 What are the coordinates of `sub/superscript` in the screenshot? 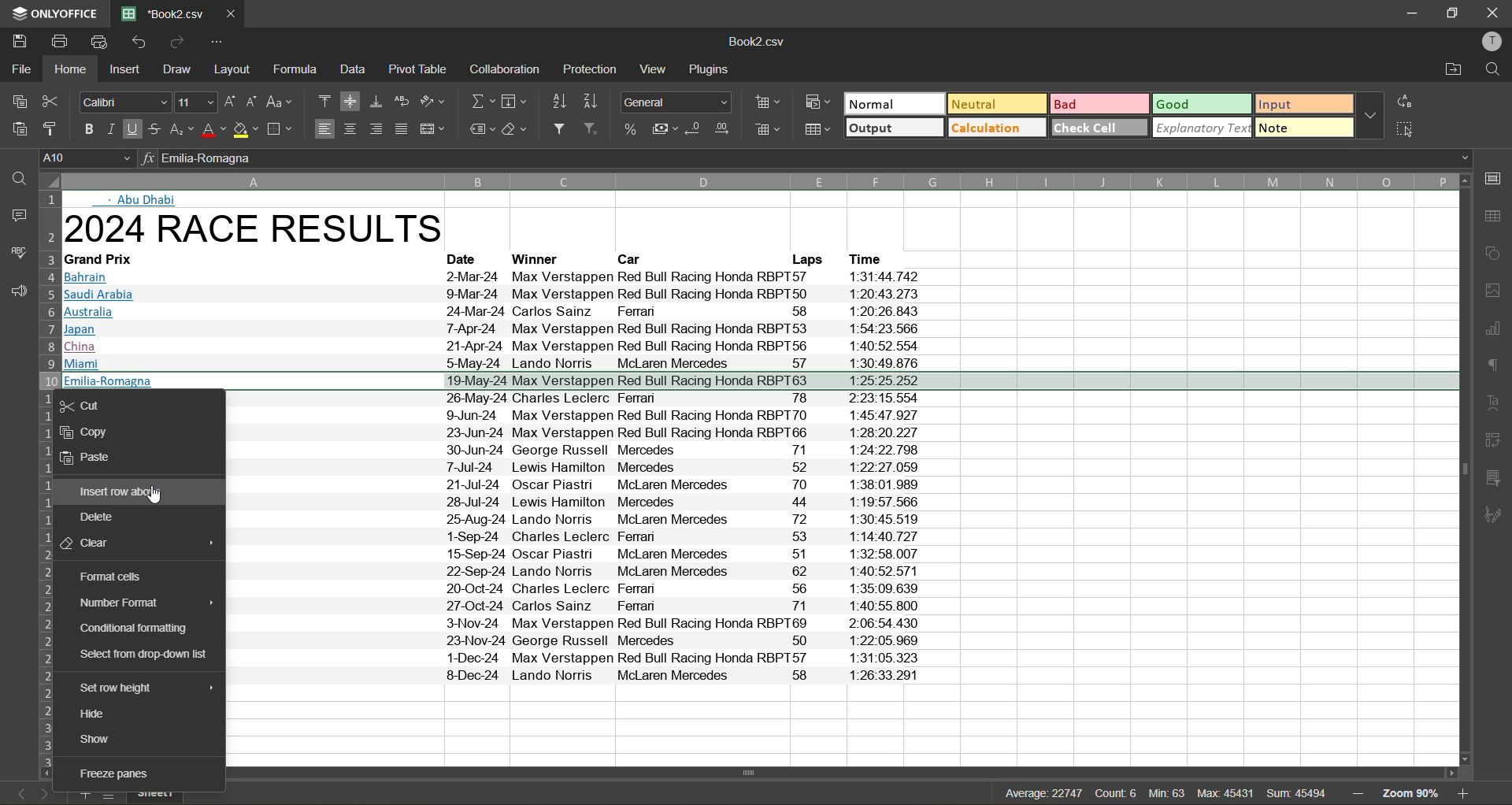 It's located at (183, 131).